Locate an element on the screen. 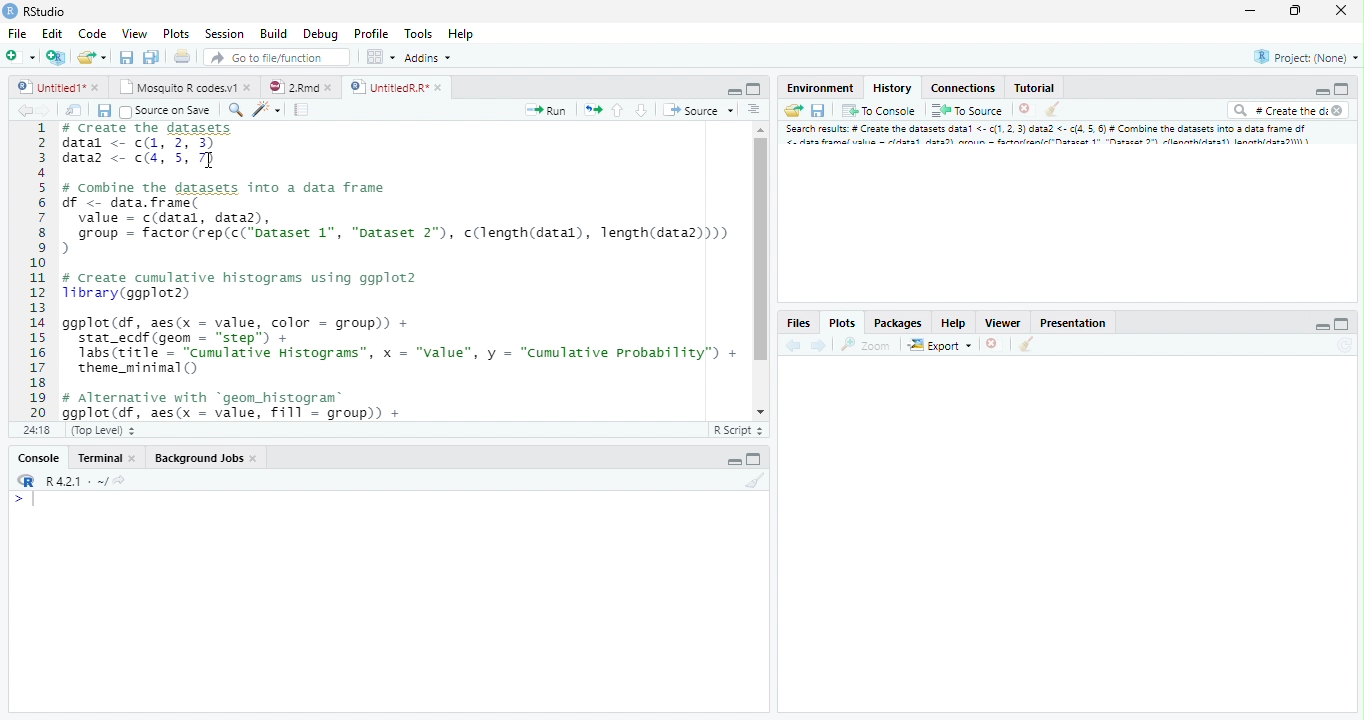 This screenshot has width=1364, height=720. Next is located at coordinates (818, 347).